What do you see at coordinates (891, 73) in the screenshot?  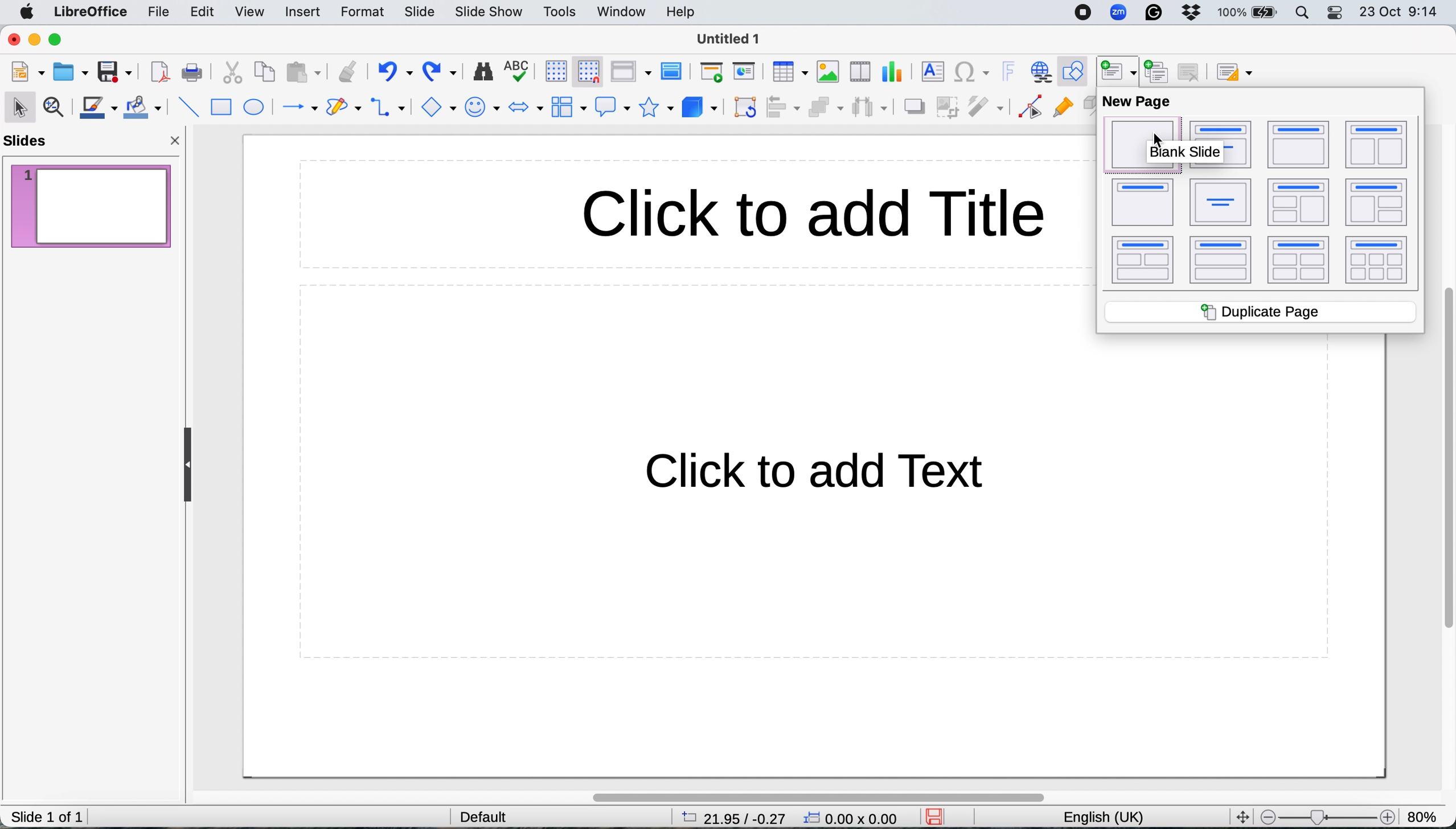 I see `insert chart` at bounding box center [891, 73].